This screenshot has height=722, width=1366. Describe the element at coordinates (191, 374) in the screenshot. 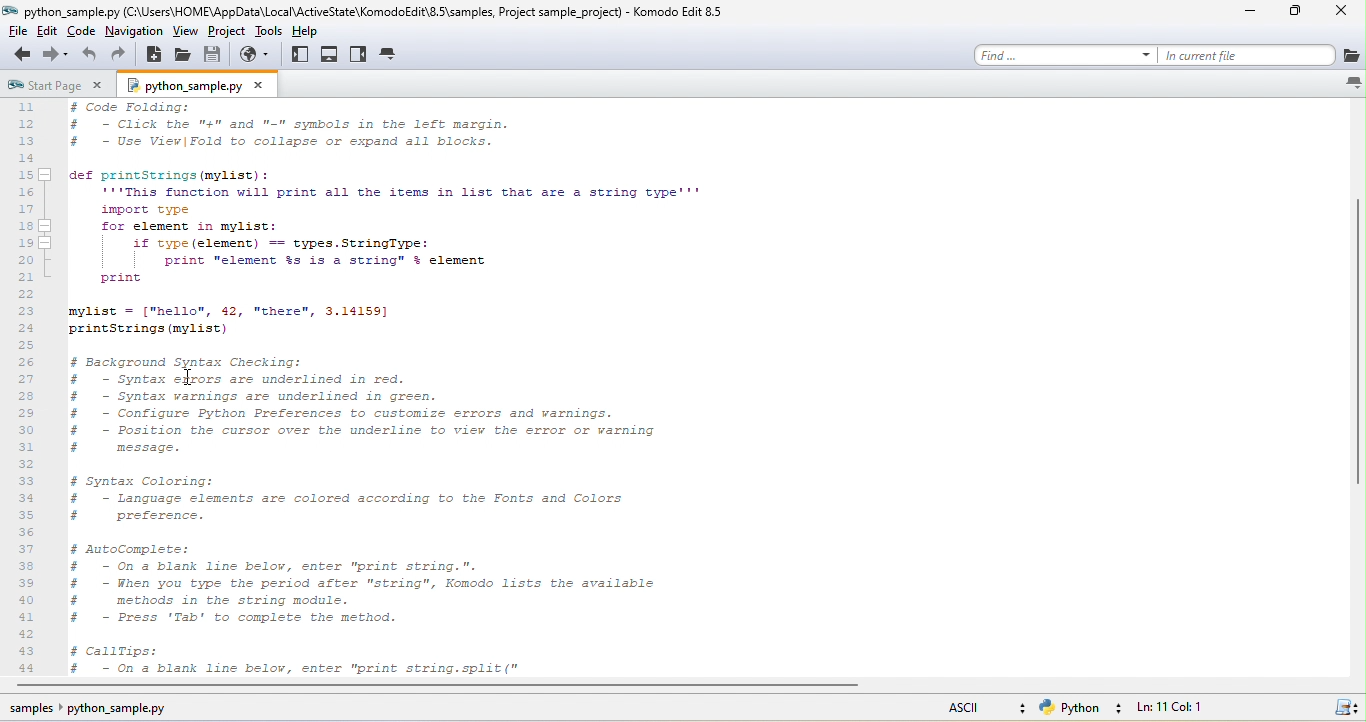

I see `Cursor` at that location.